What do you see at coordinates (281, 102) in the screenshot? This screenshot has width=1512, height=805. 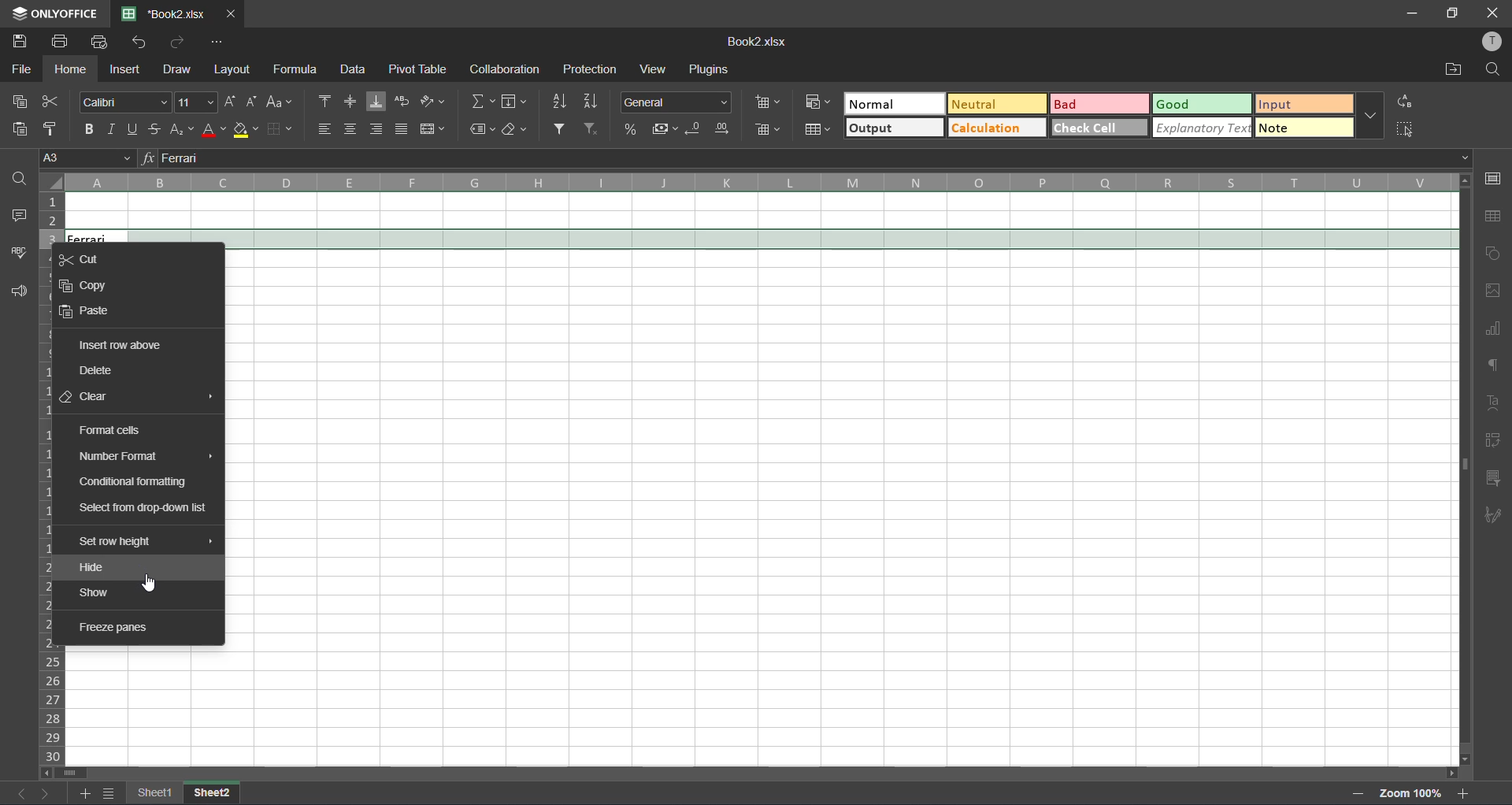 I see `change case` at bounding box center [281, 102].